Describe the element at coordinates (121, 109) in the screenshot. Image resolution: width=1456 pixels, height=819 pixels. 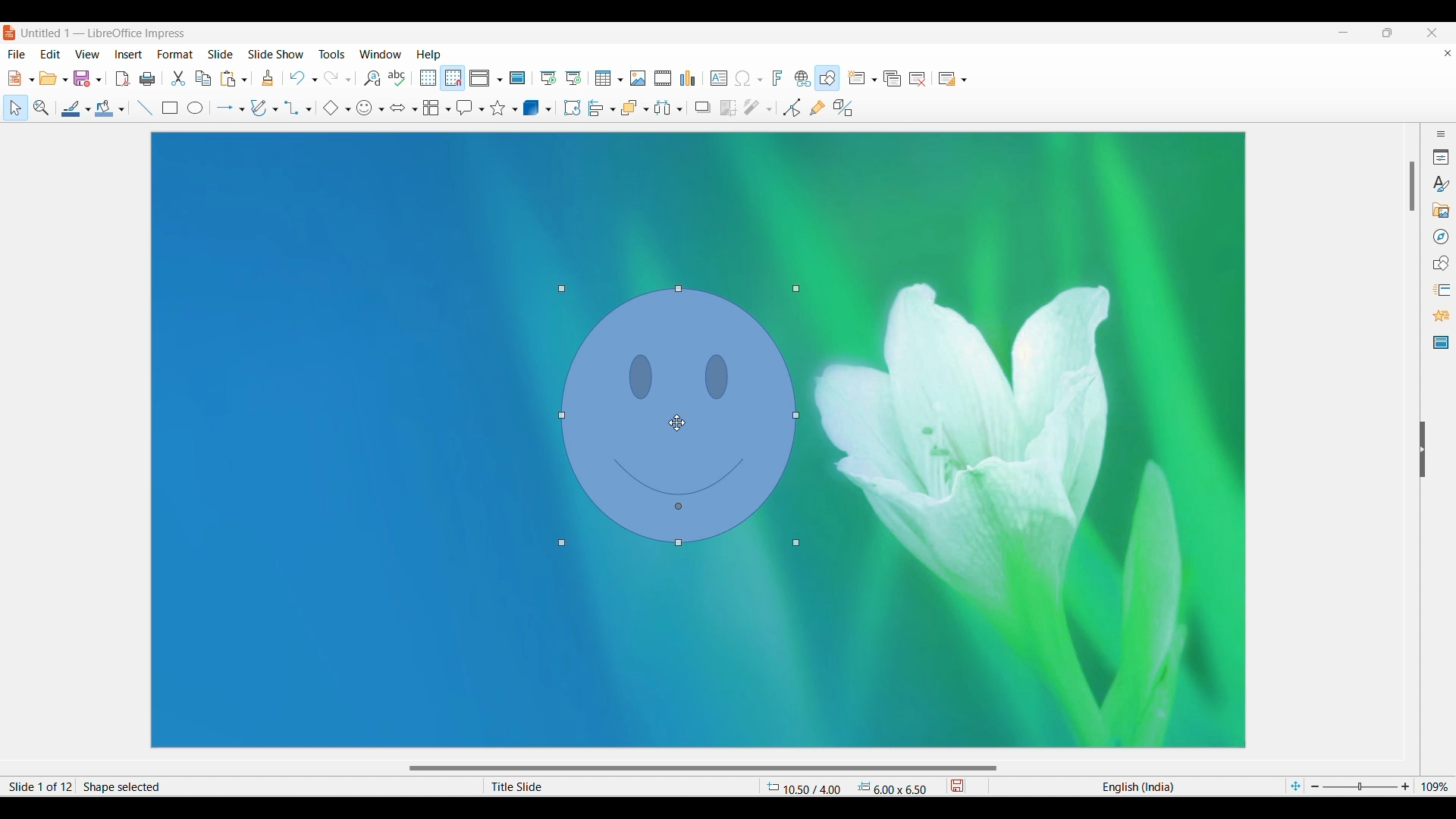
I see `Fill options` at that location.